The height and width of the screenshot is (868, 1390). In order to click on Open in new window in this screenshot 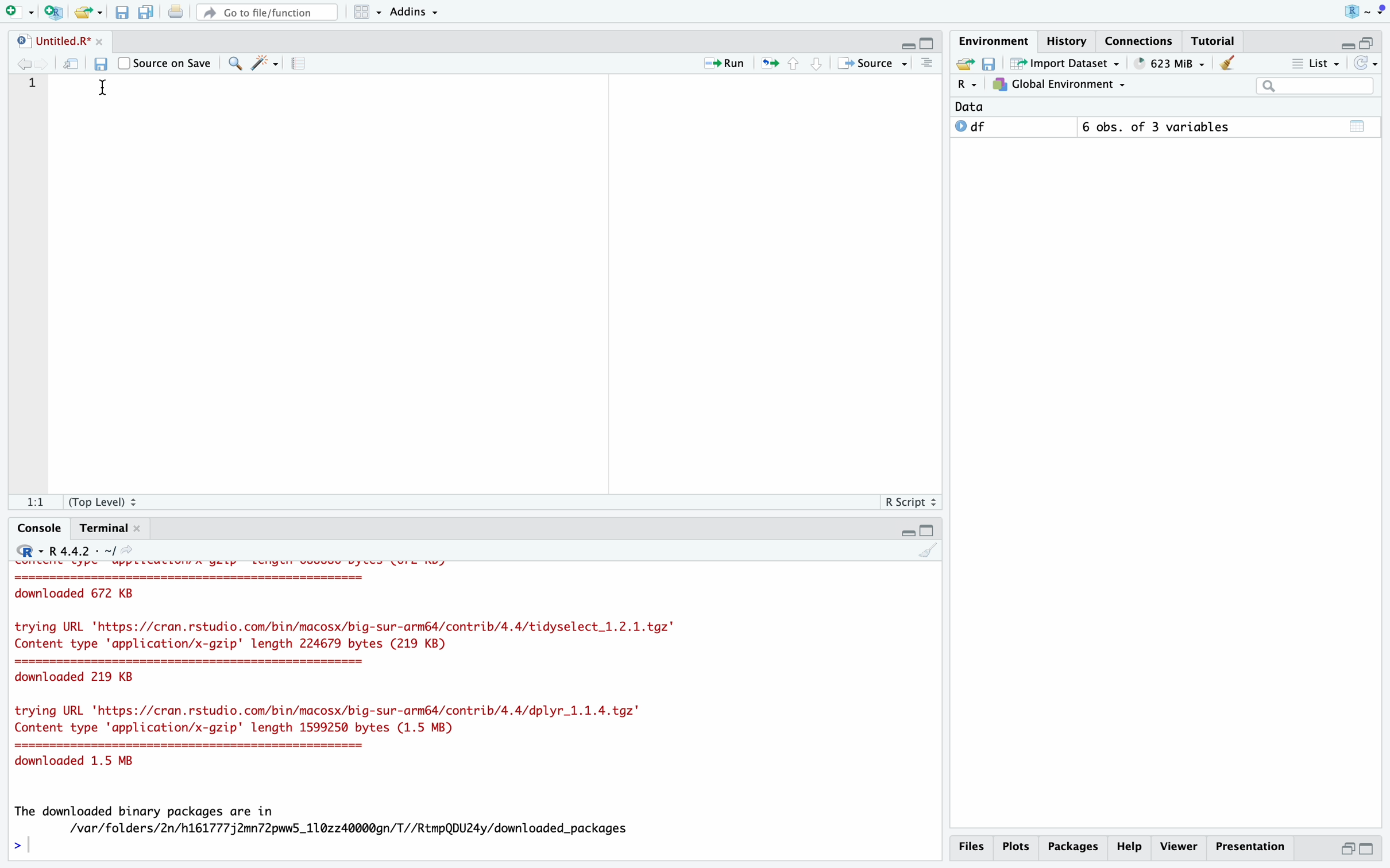, I will do `click(73, 64)`.